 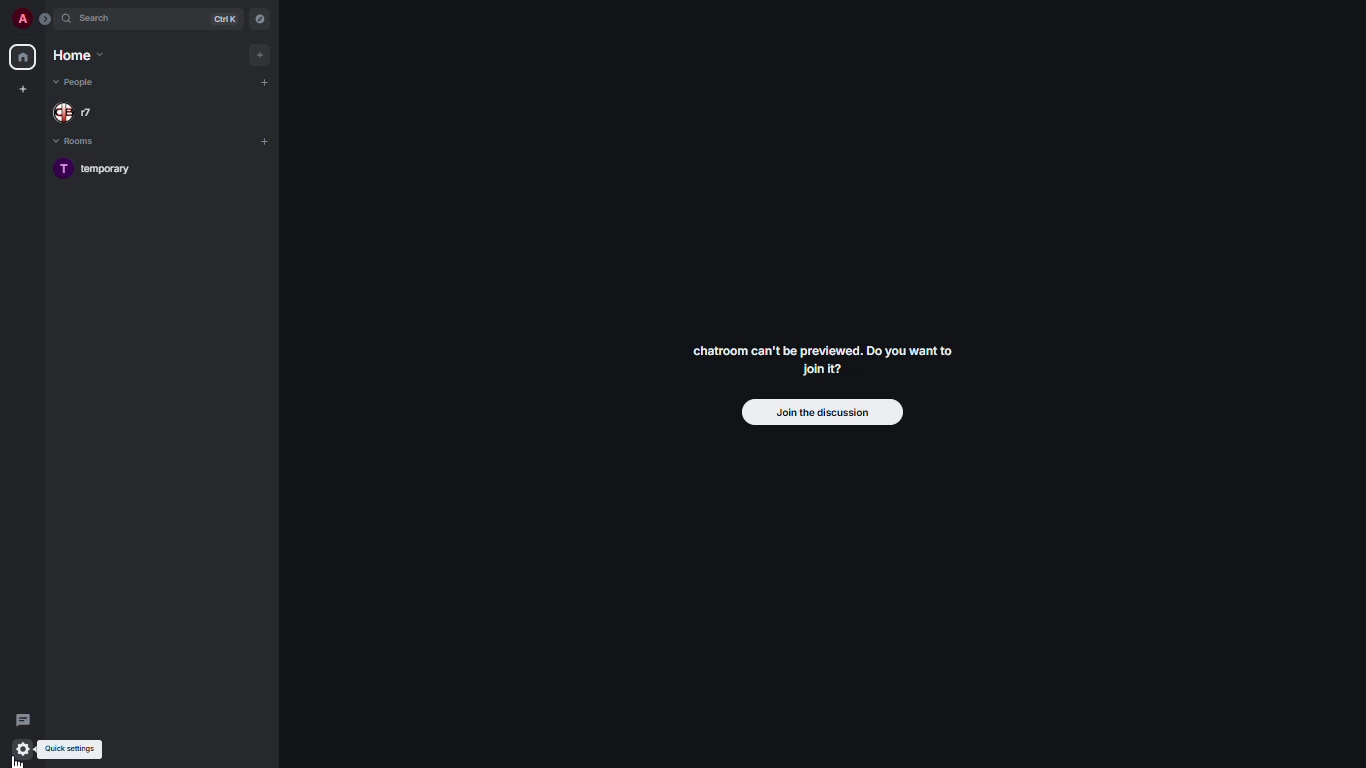 I want to click on add, so click(x=264, y=142).